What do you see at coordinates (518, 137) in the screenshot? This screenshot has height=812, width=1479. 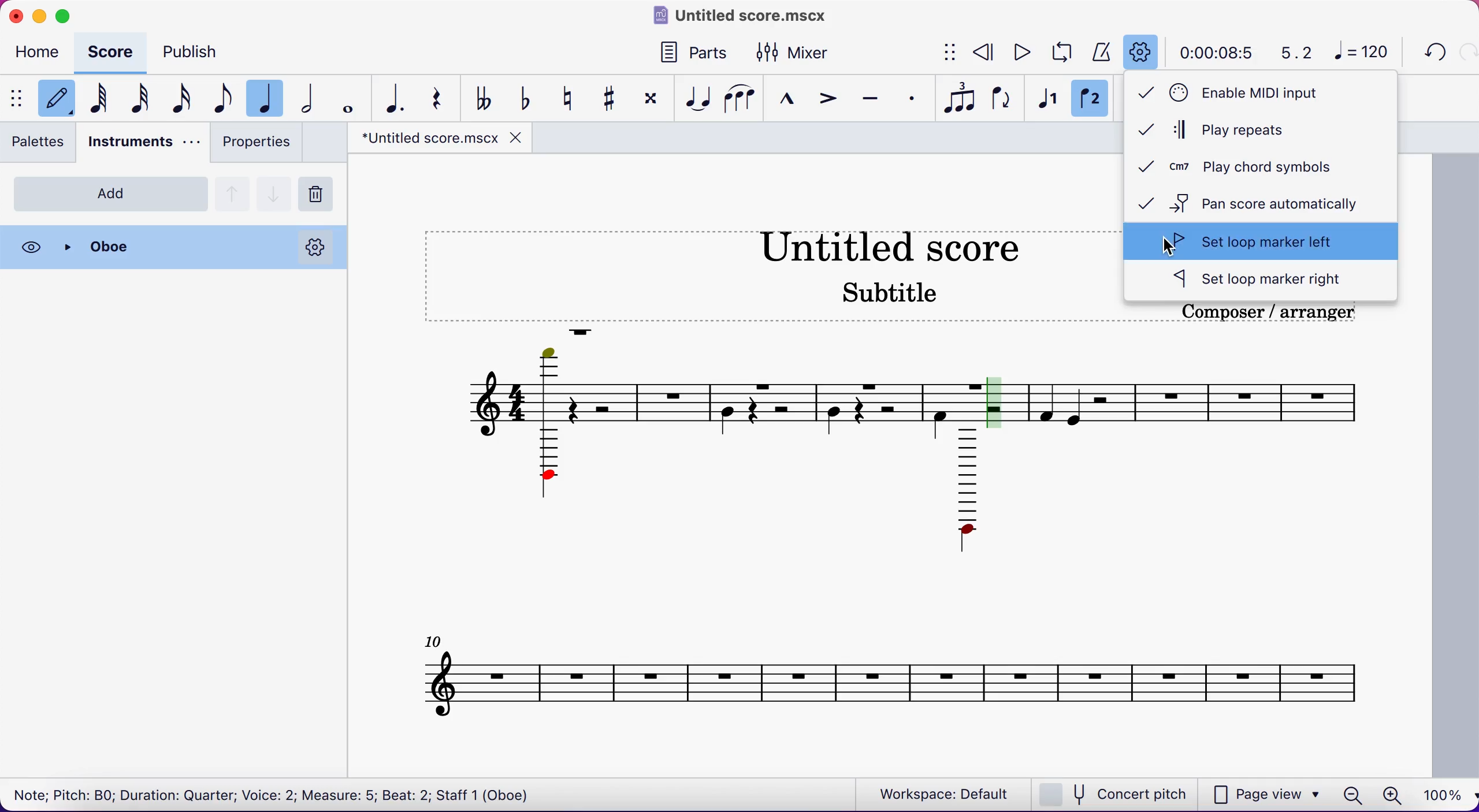 I see `close` at bounding box center [518, 137].